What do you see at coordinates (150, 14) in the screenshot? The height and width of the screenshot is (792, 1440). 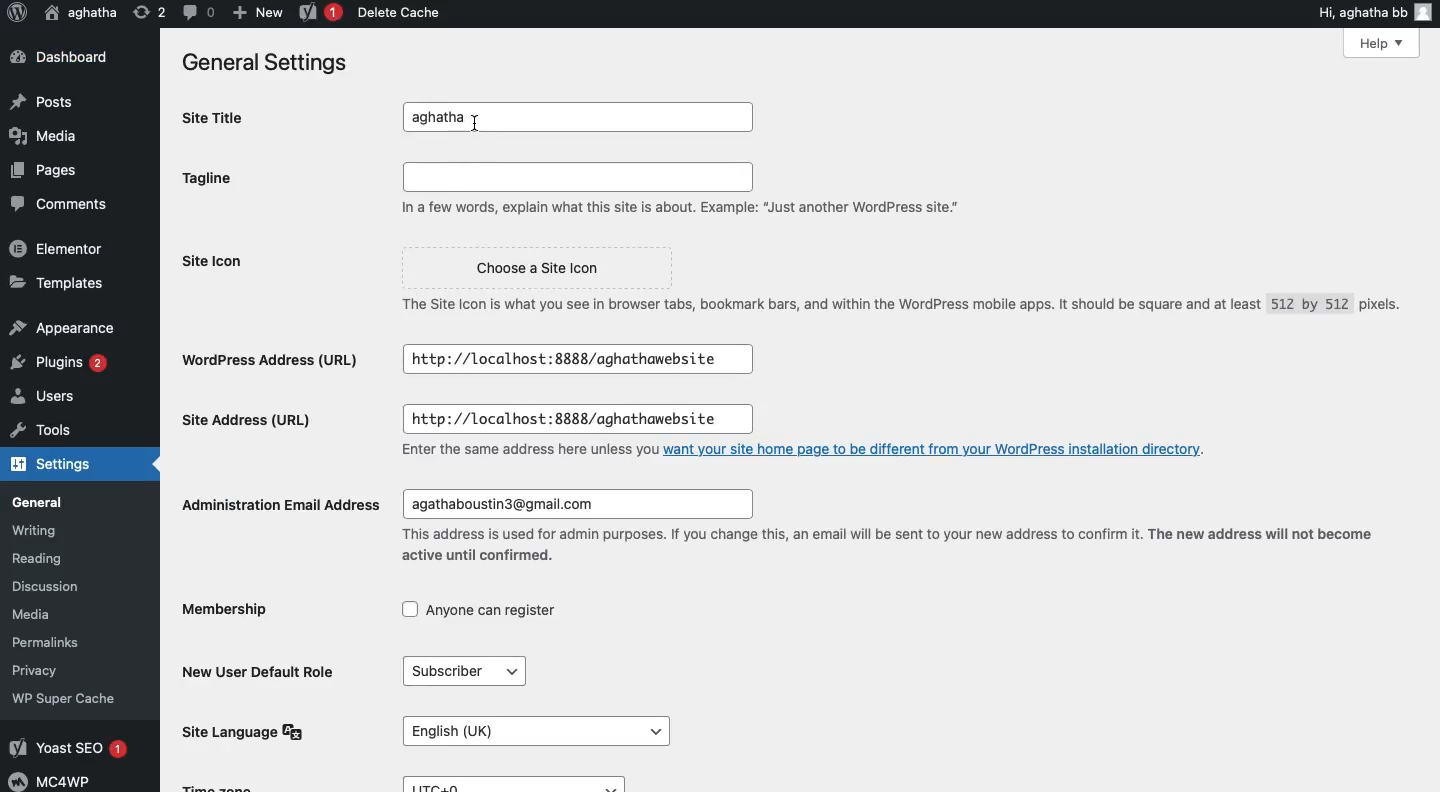 I see `Revision` at bounding box center [150, 14].